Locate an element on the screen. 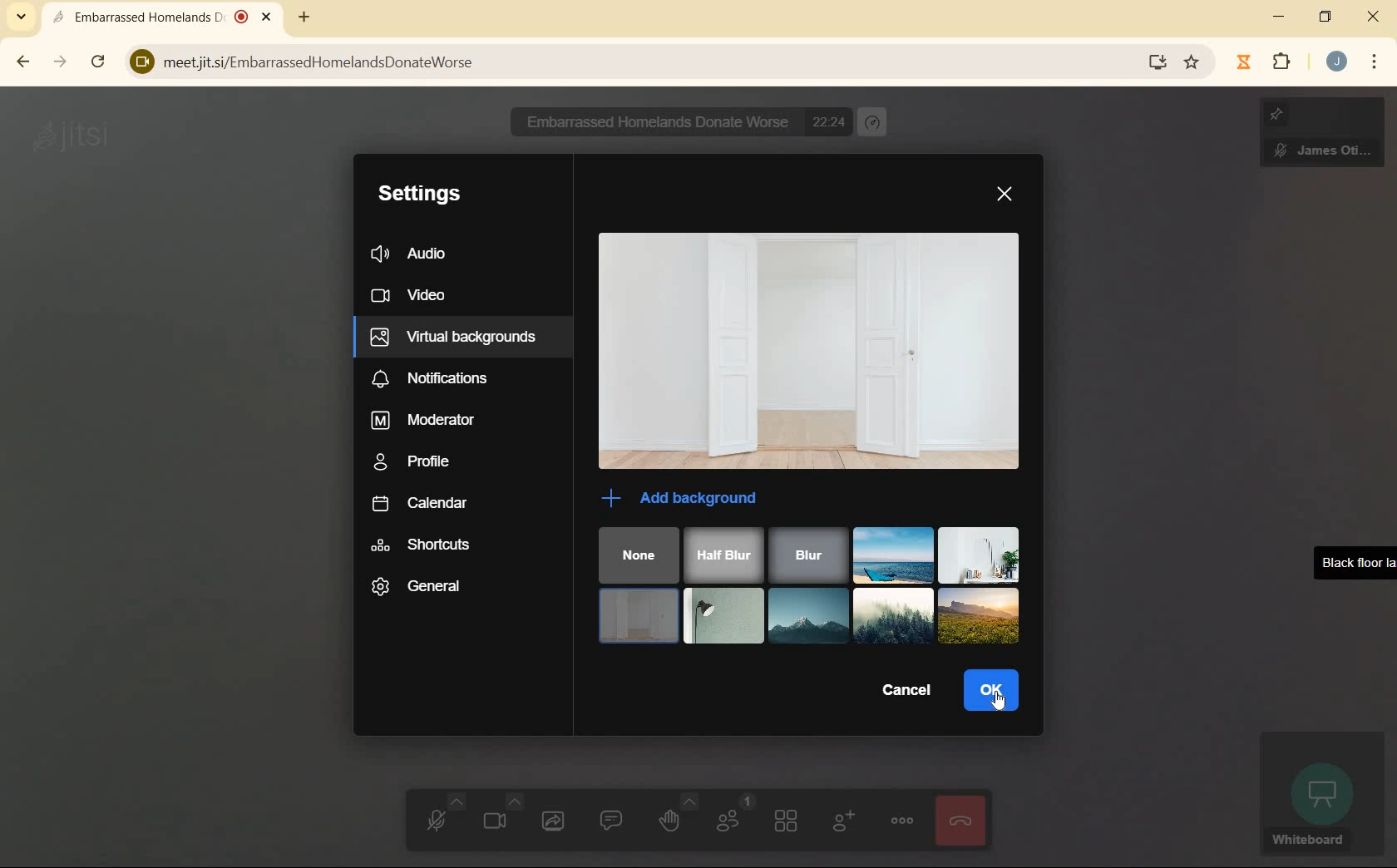 The width and height of the screenshot is (1397, 868). new tab is located at coordinates (305, 16).